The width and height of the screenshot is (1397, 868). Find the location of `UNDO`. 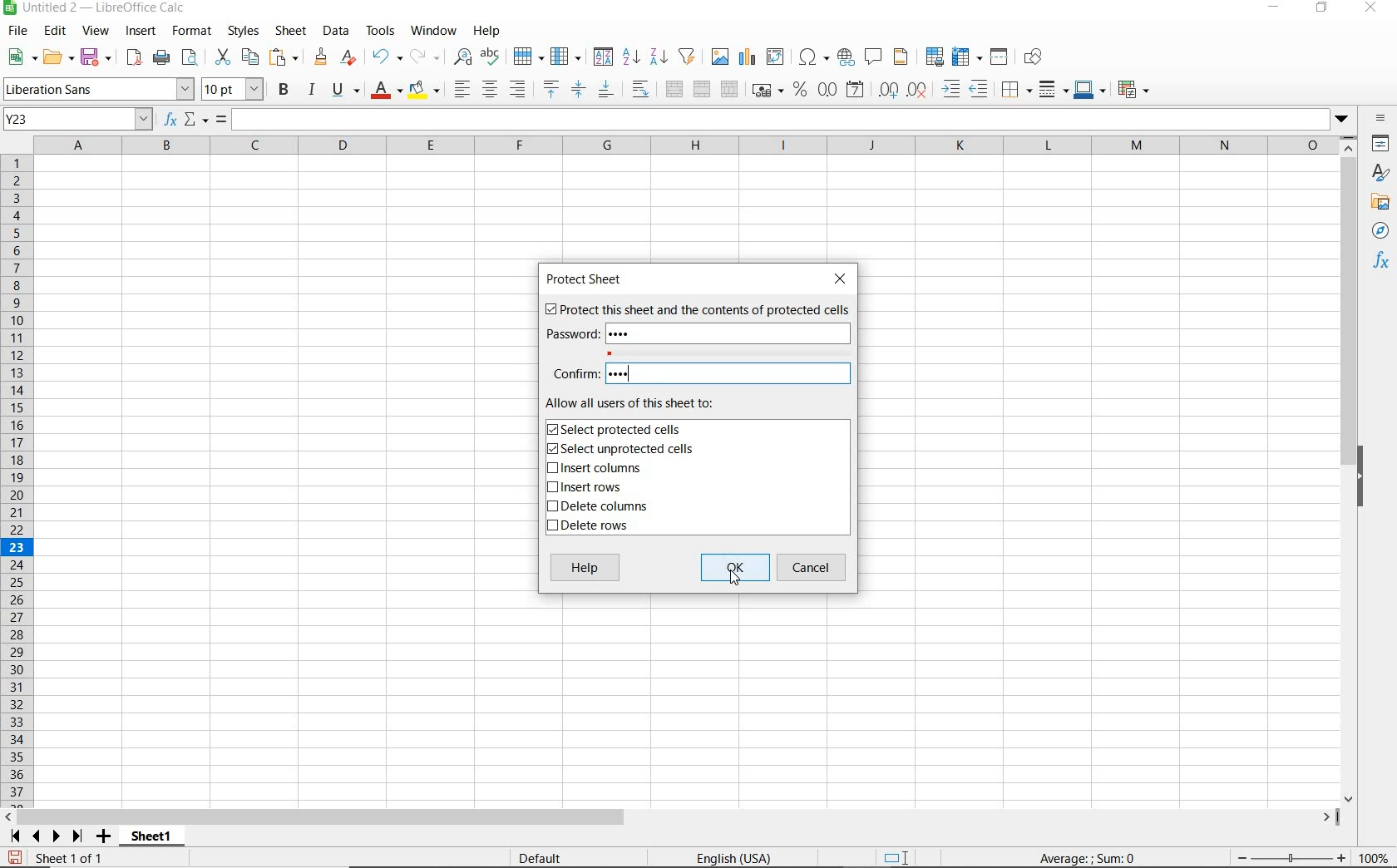

UNDO is located at coordinates (386, 57).